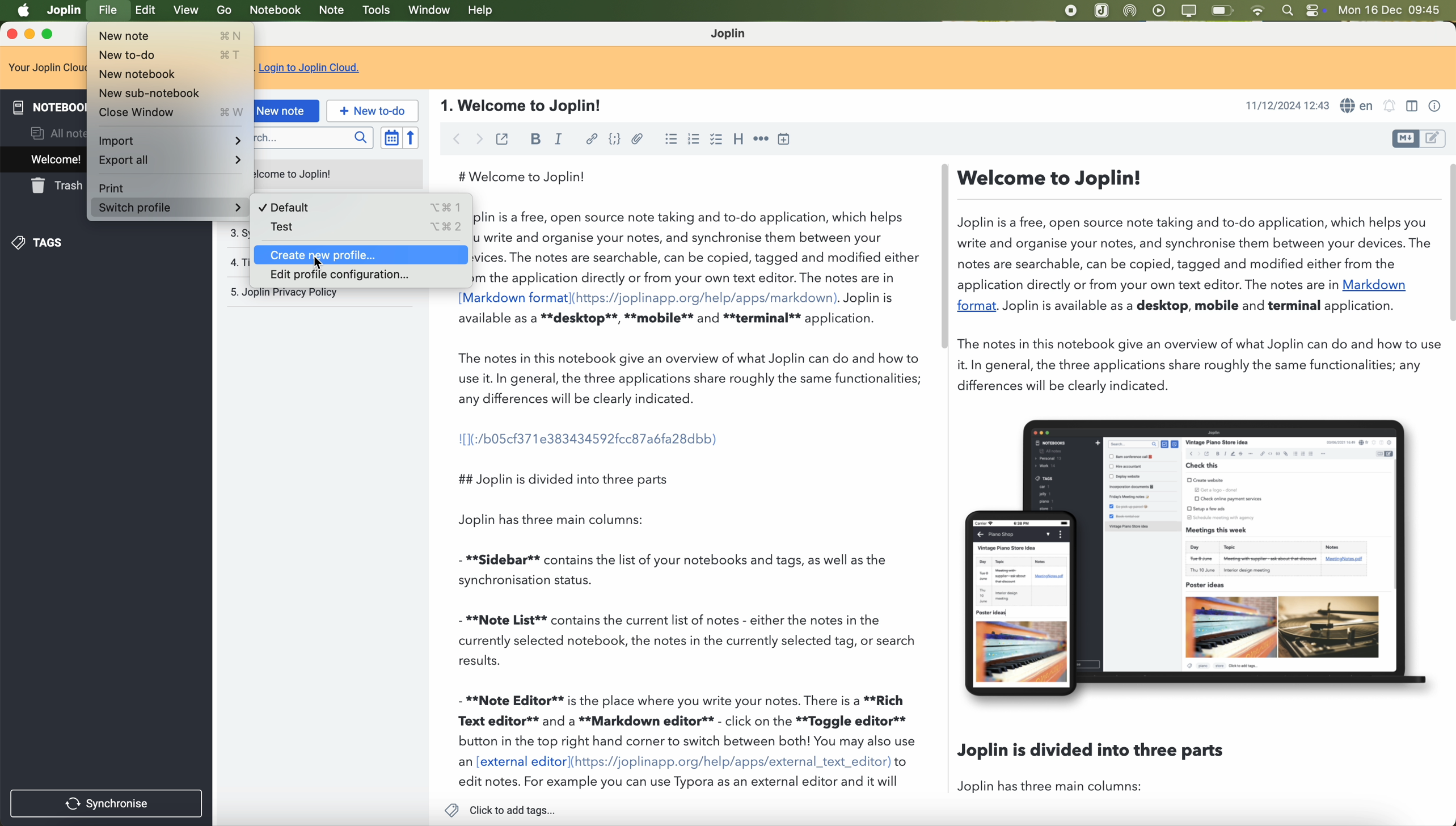 This screenshot has height=826, width=1456. What do you see at coordinates (689, 640) in the screenshot?
I see `- **Note List** contains the current list of notes - either the notes in the
currently selected notebook, the notes in the currently selected tag, or search
results.` at bounding box center [689, 640].